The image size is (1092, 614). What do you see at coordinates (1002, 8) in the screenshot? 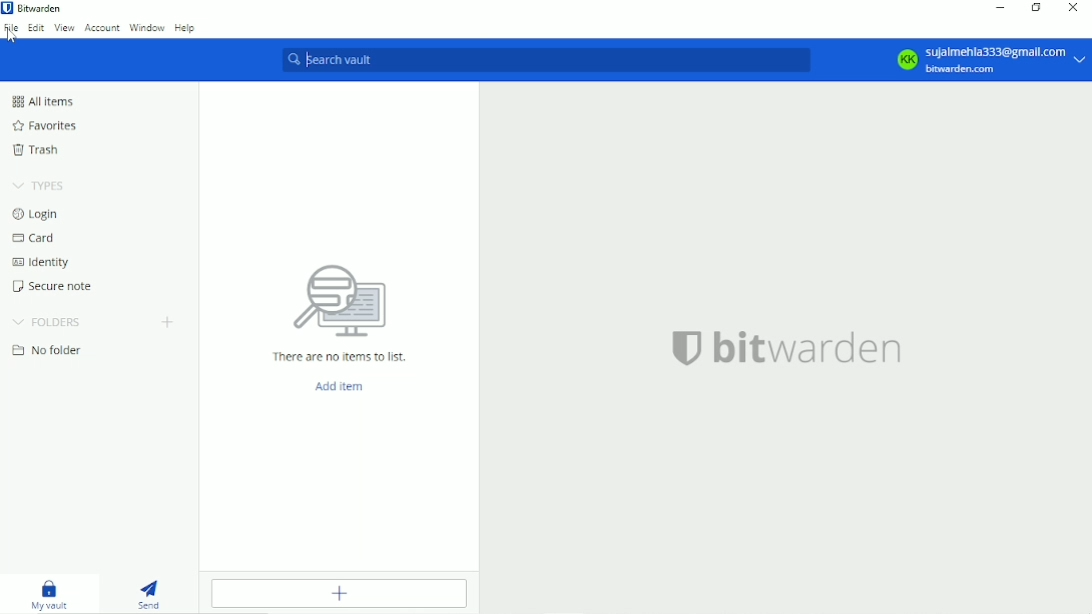
I see `Minimize` at bounding box center [1002, 8].